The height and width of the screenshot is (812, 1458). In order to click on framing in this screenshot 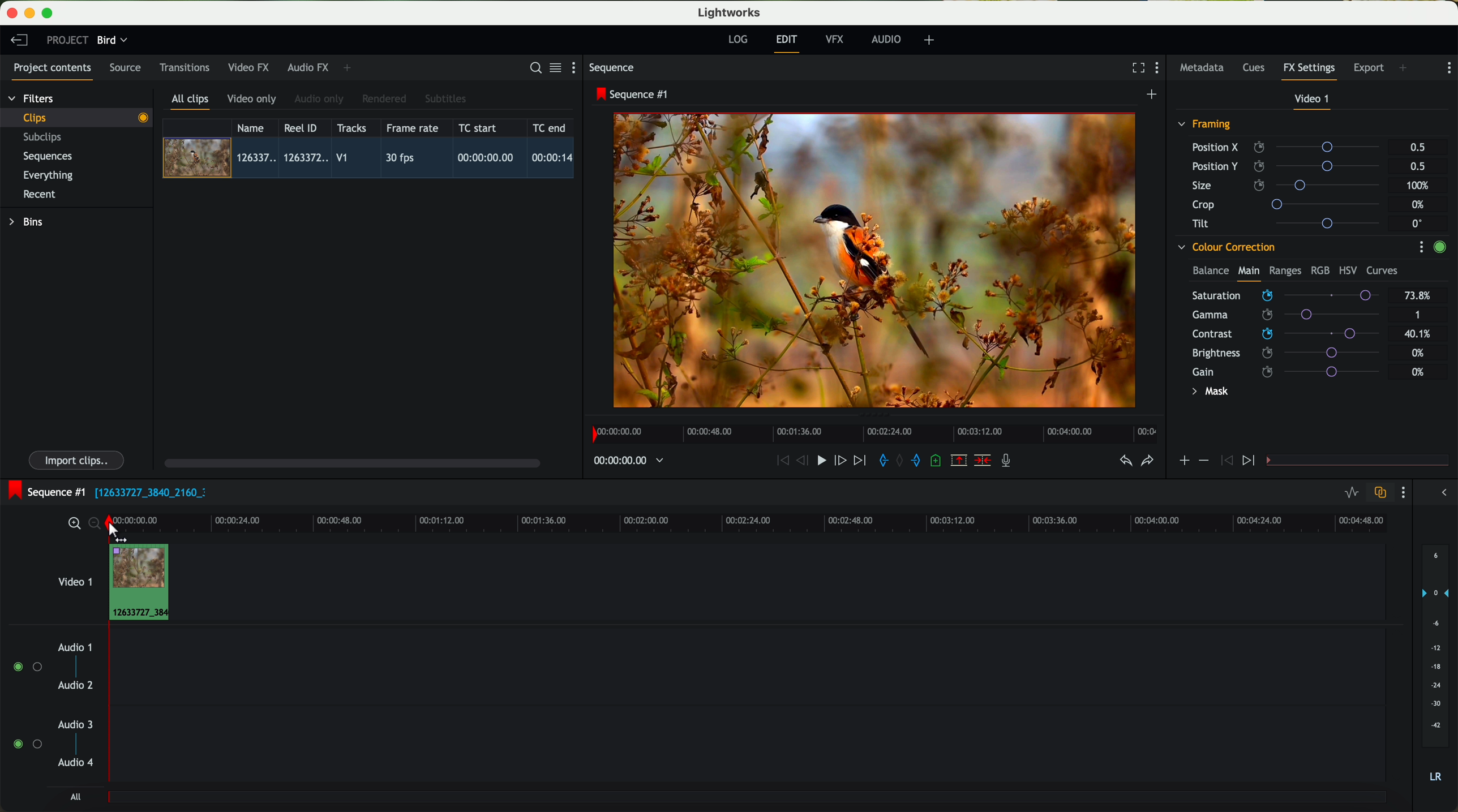, I will do `click(1205, 126)`.